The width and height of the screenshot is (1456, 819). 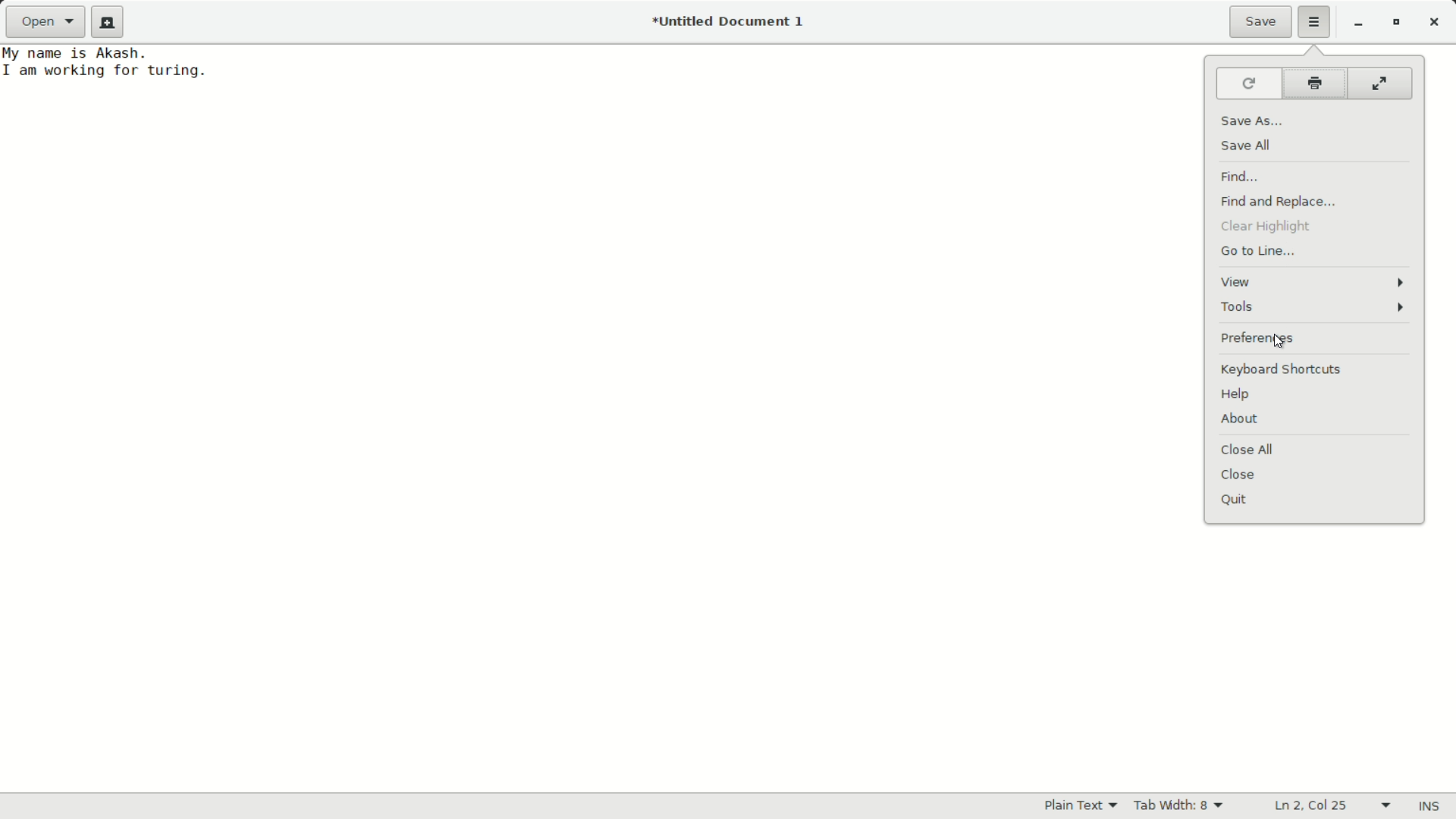 What do you see at coordinates (1245, 175) in the screenshot?
I see `find` at bounding box center [1245, 175].